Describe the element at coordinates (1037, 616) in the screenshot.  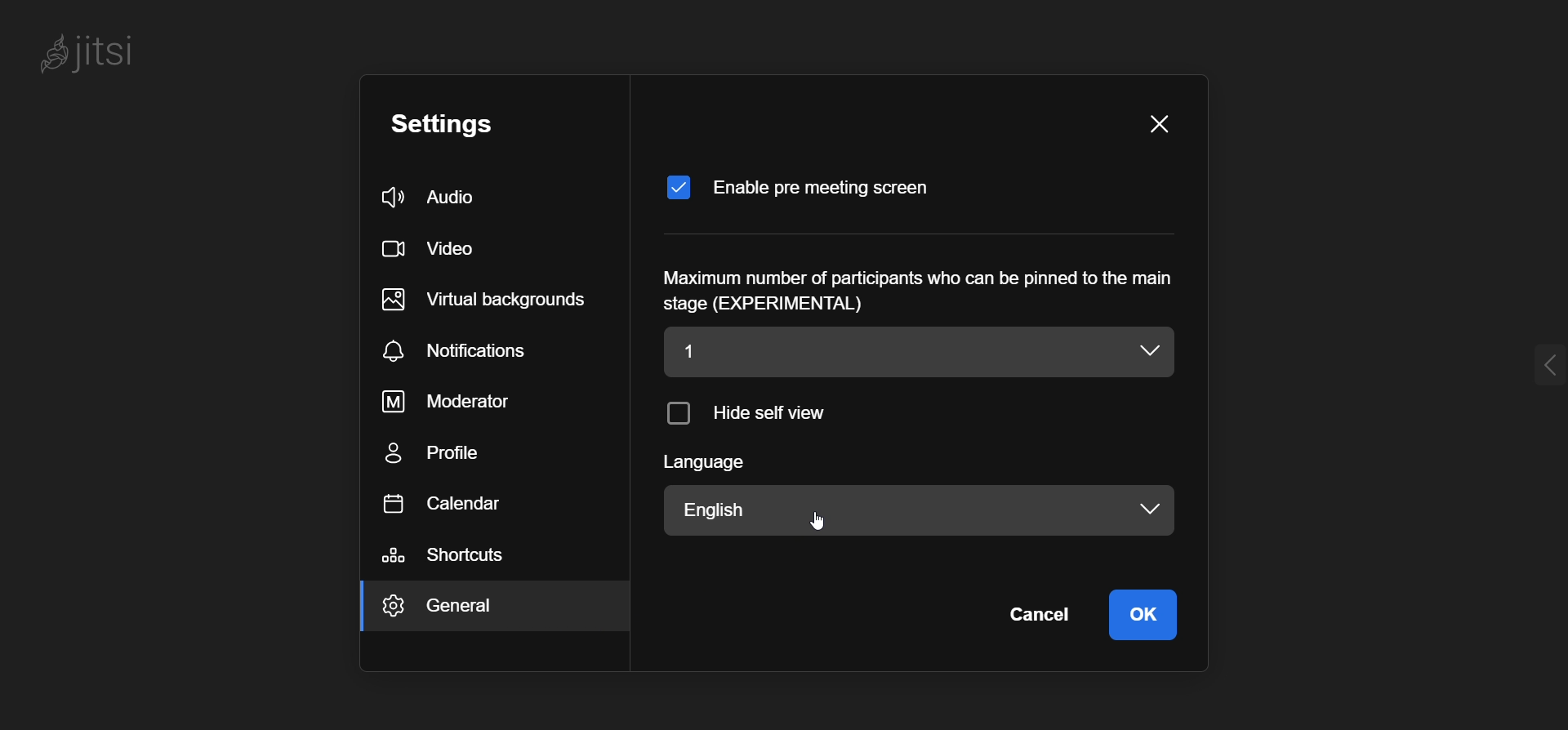
I see `cancel` at that location.